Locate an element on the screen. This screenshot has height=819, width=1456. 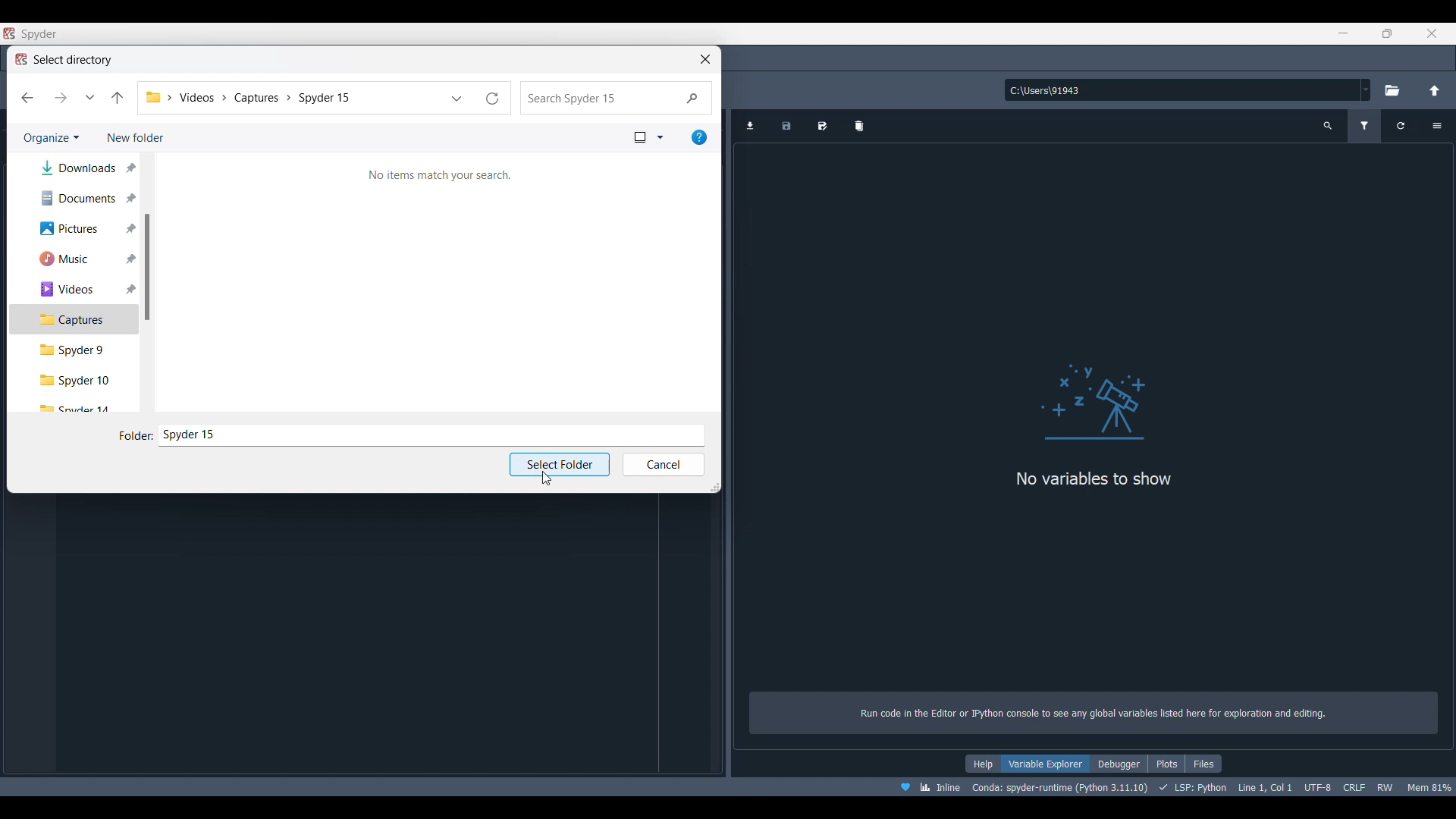
Organize options is located at coordinates (51, 139).